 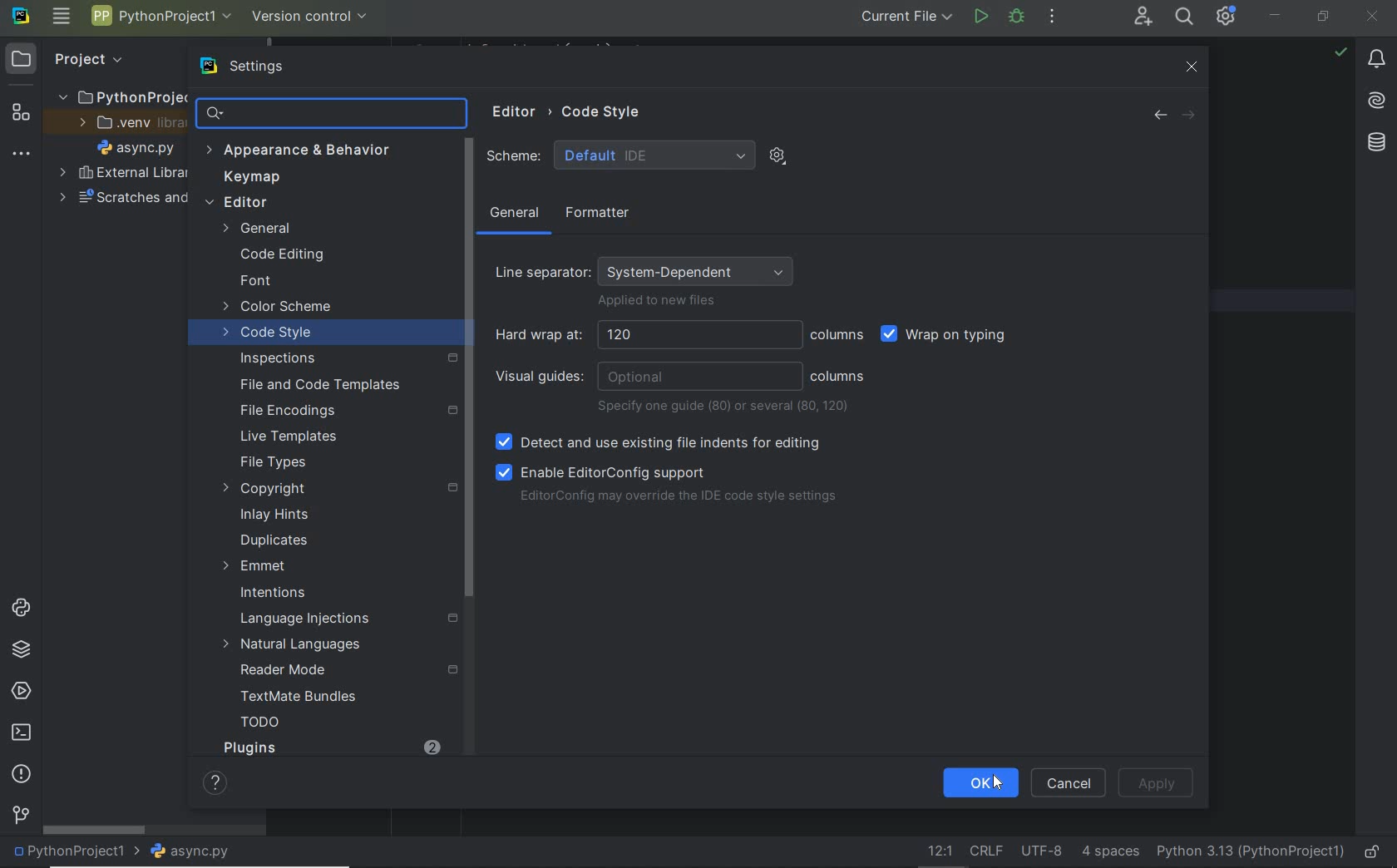 What do you see at coordinates (62, 18) in the screenshot?
I see `main menu` at bounding box center [62, 18].